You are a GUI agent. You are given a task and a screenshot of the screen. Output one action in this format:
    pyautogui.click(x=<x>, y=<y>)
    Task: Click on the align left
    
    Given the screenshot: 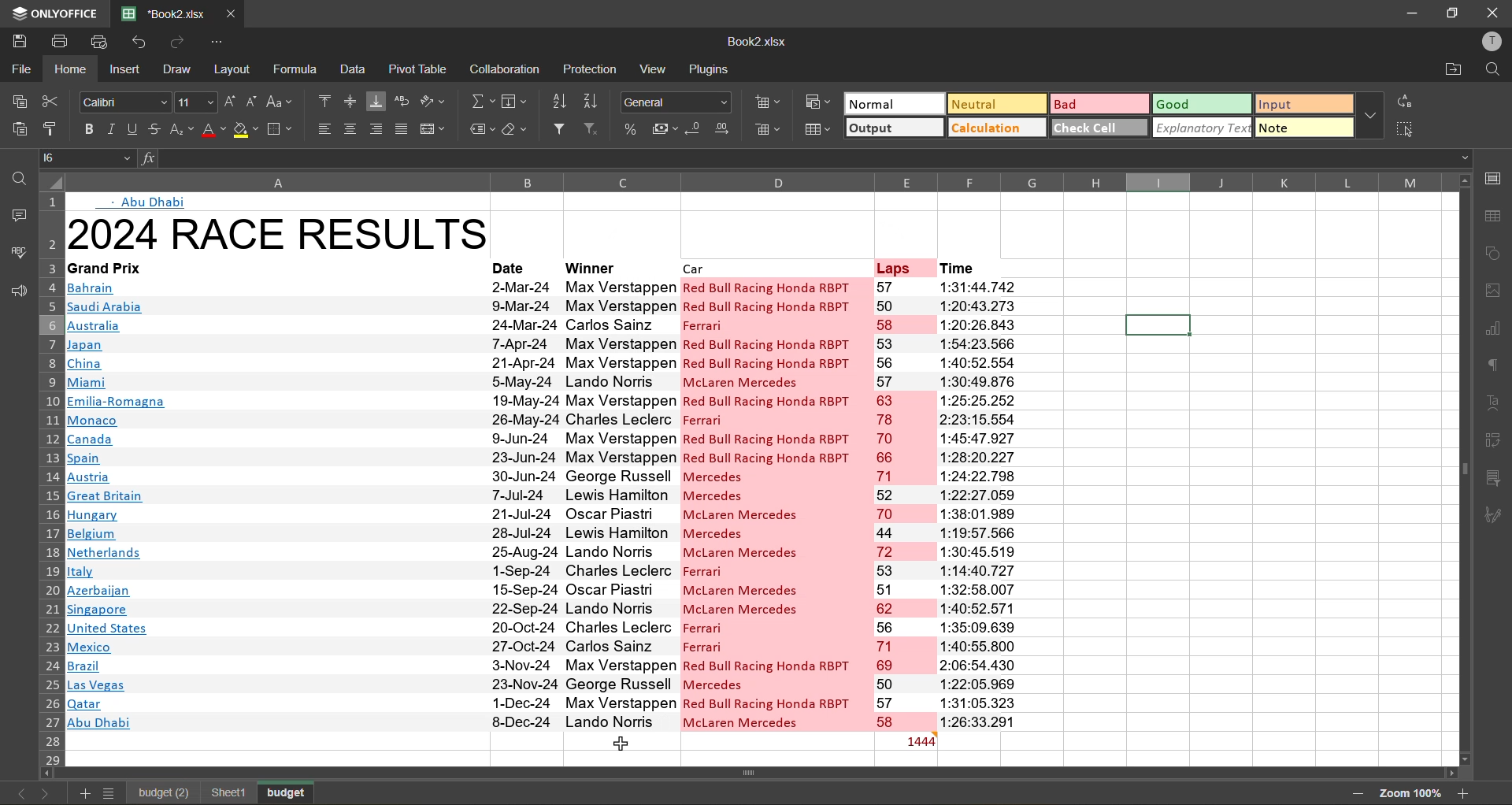 What is the action you would take?
    pyautogui.click(x=326, y=128)
    